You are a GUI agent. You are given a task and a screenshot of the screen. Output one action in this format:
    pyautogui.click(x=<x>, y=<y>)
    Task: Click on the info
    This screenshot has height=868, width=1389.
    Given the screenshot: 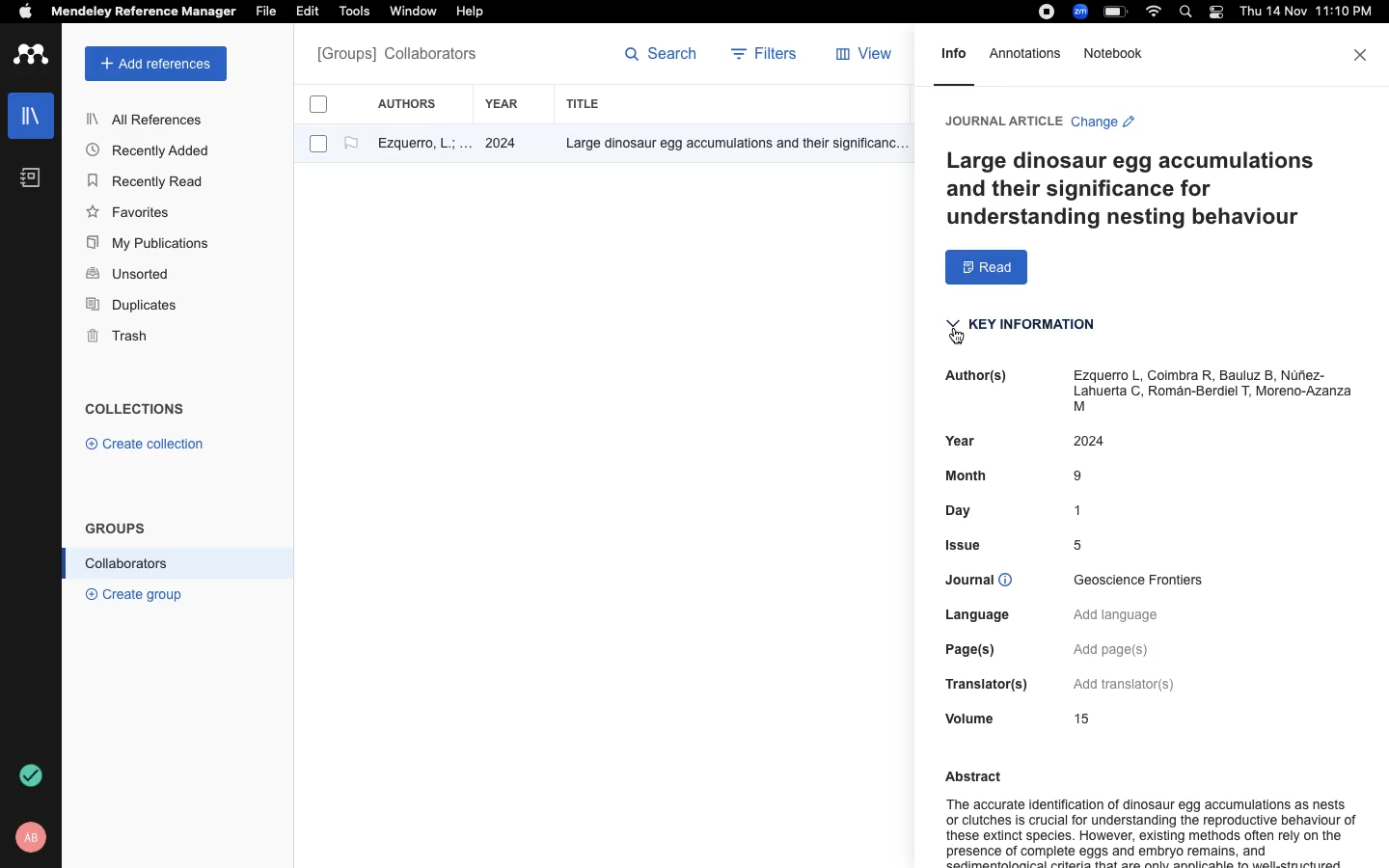 What is the action you would take?
    pyautogui.click(x=954, y=60)
    